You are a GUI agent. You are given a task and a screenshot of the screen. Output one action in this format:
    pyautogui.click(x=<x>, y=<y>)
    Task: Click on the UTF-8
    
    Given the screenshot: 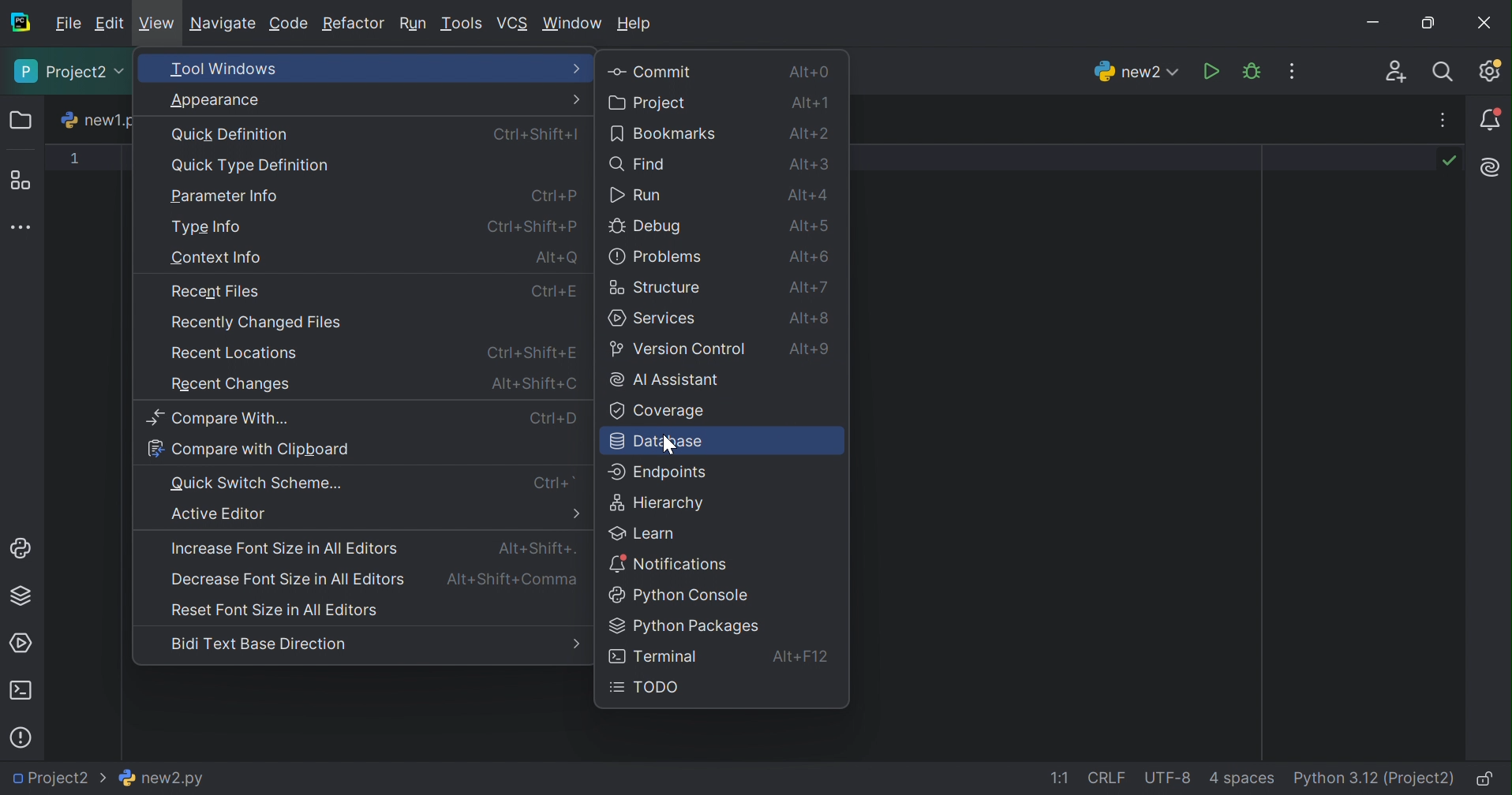 What is the action you would take?
    pyautogui.click(x=1167, y=777)
    